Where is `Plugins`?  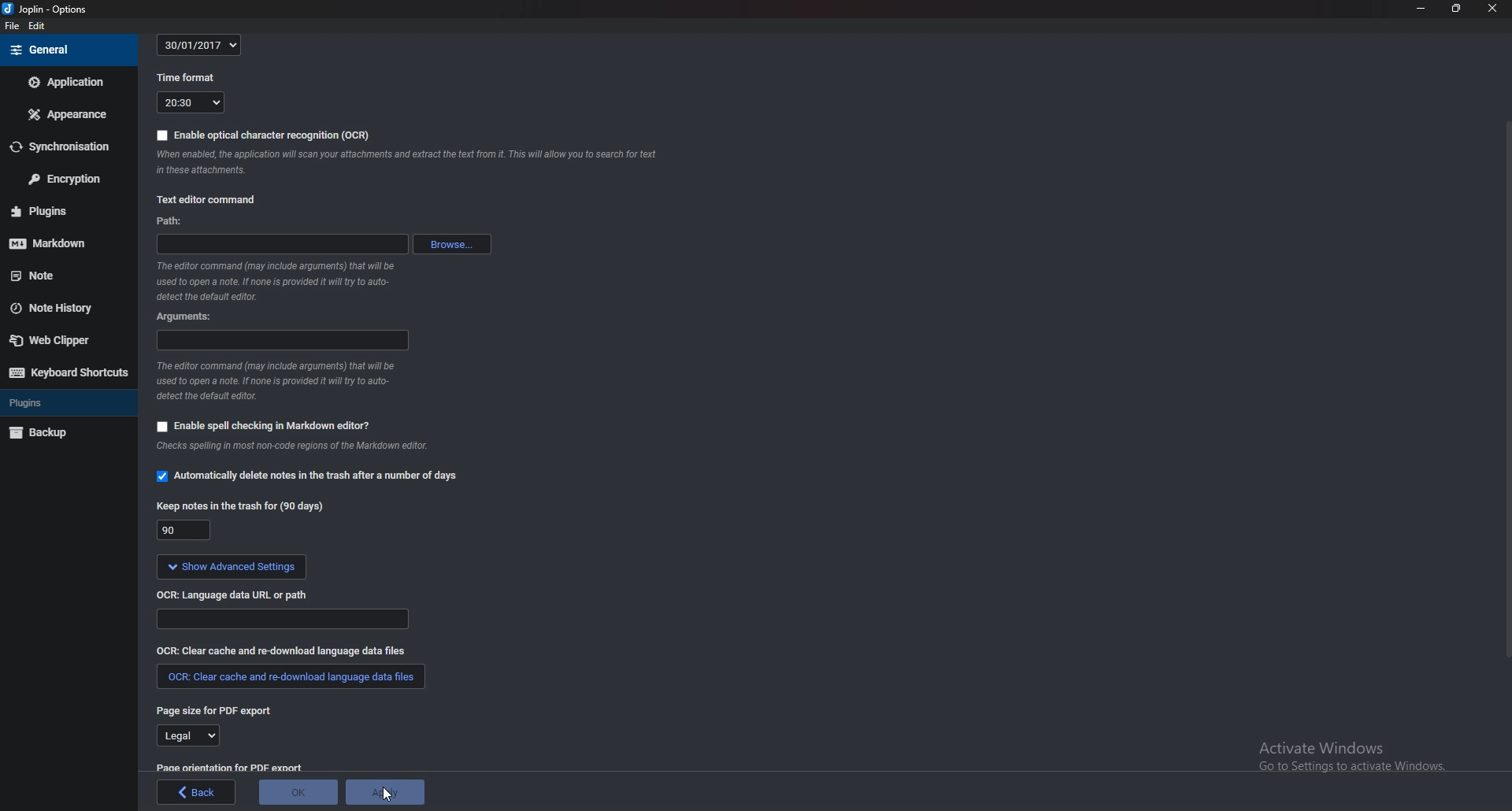
Plugins is located at coordinates (66, 402).